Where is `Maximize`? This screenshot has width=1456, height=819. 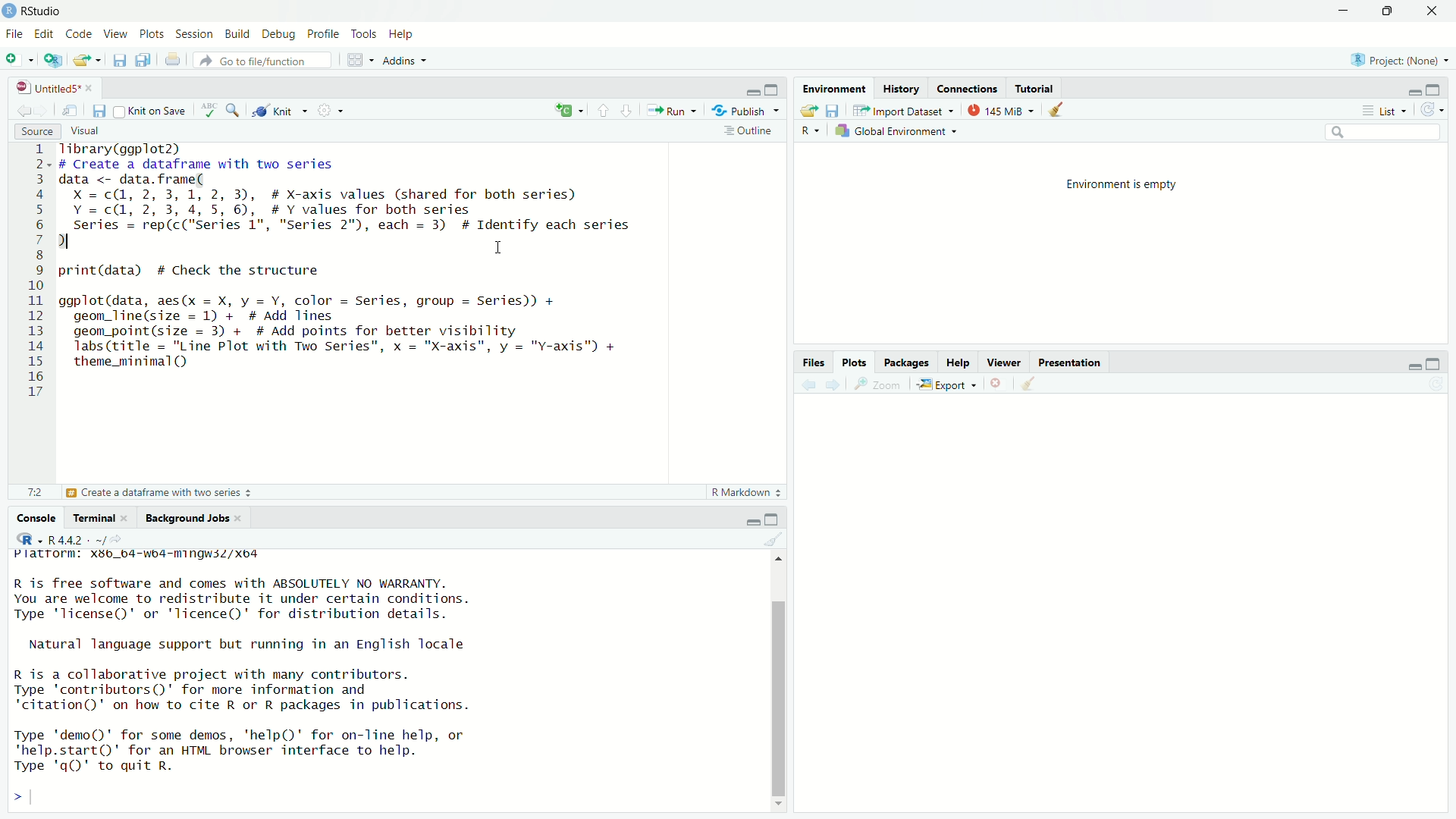 Maximize is located at coordinates (773, 89).